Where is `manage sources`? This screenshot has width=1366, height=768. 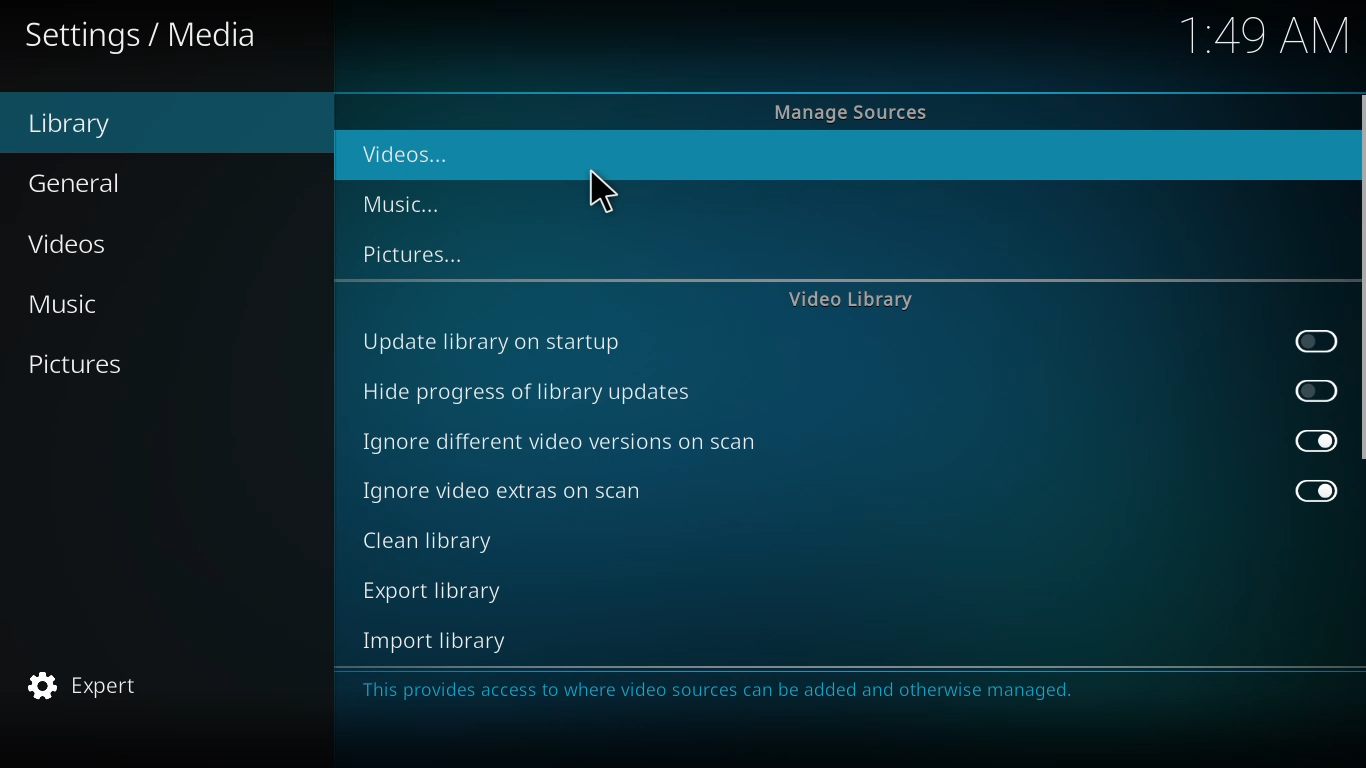 manage sources is located at coordinates (851, 111).